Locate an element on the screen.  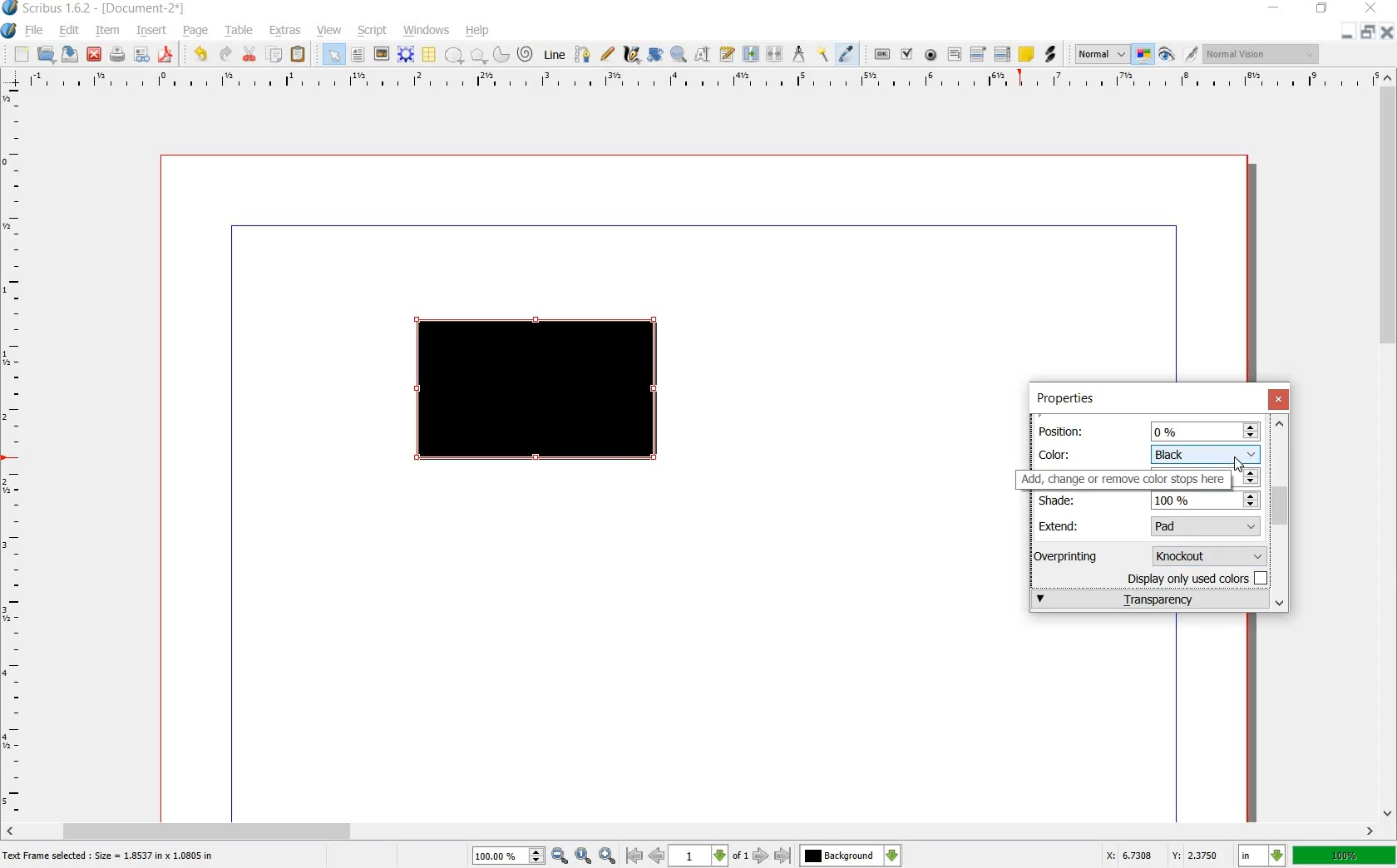
copy is located at coordinates (275, 55).